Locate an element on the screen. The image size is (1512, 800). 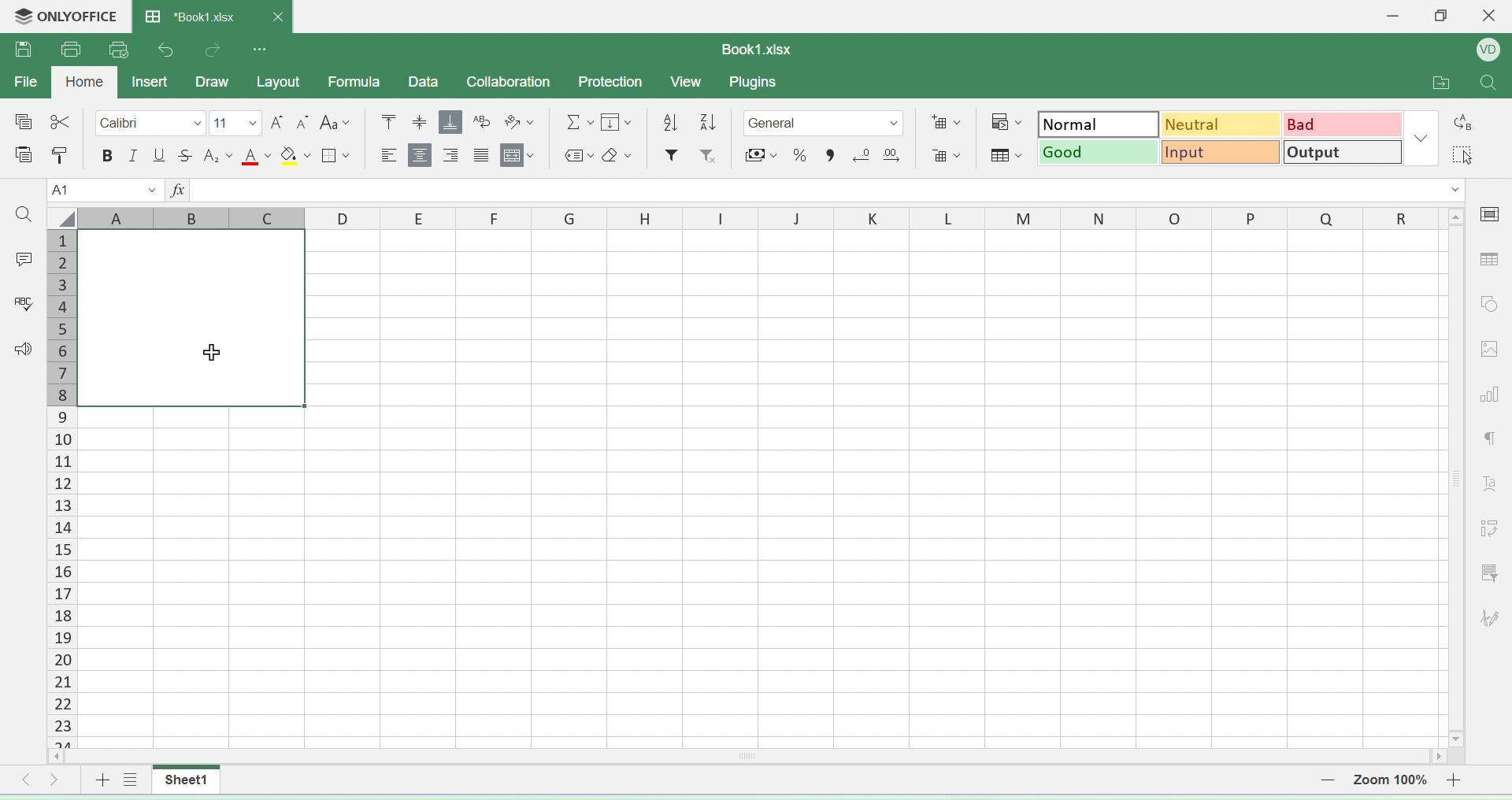
image is located at coordinates (1492, 352).